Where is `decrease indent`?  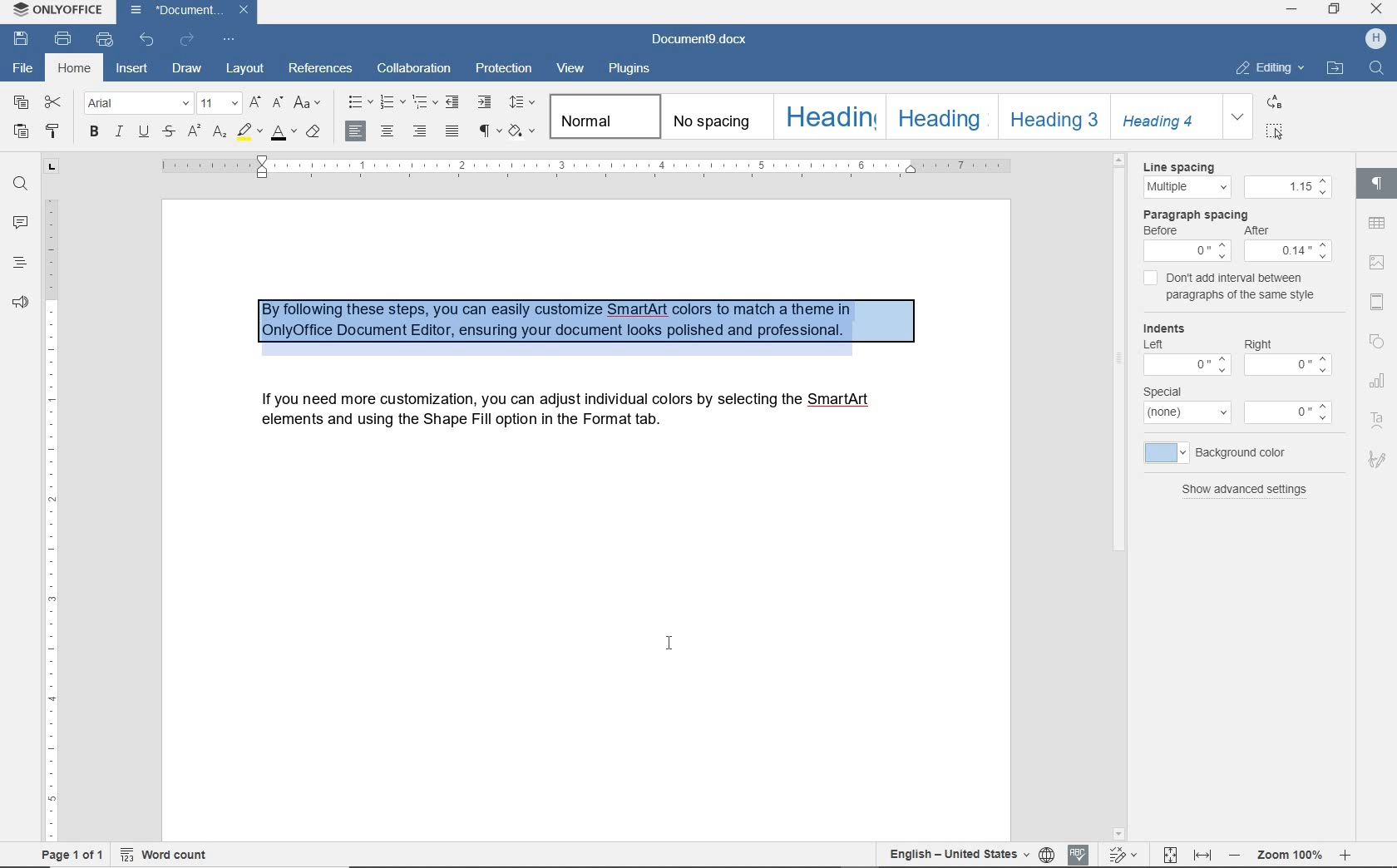
decrease indent is located at coordinates (453, 101).